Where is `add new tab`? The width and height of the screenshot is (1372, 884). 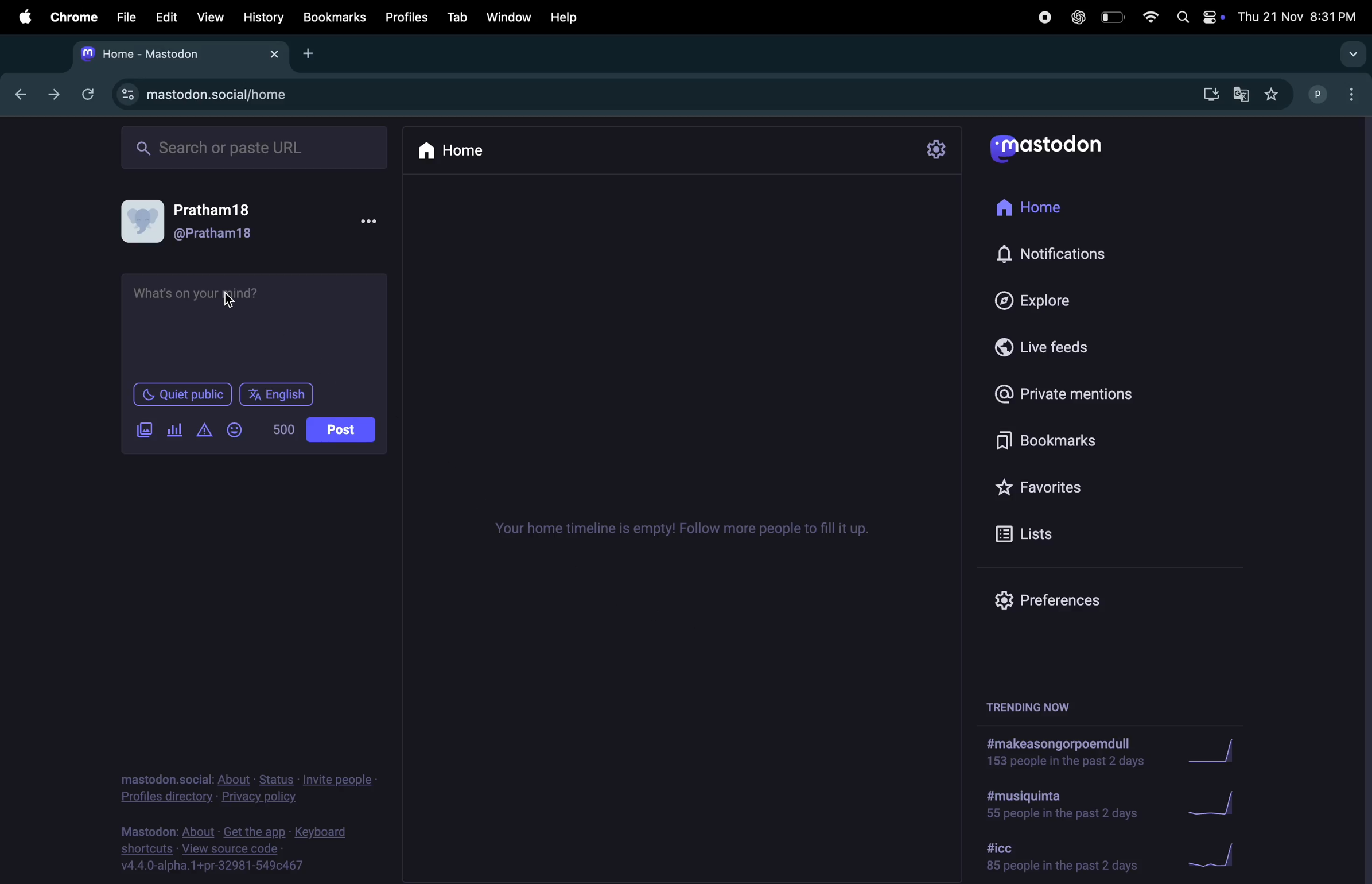
add new tab is located at coordinates (314, 55).